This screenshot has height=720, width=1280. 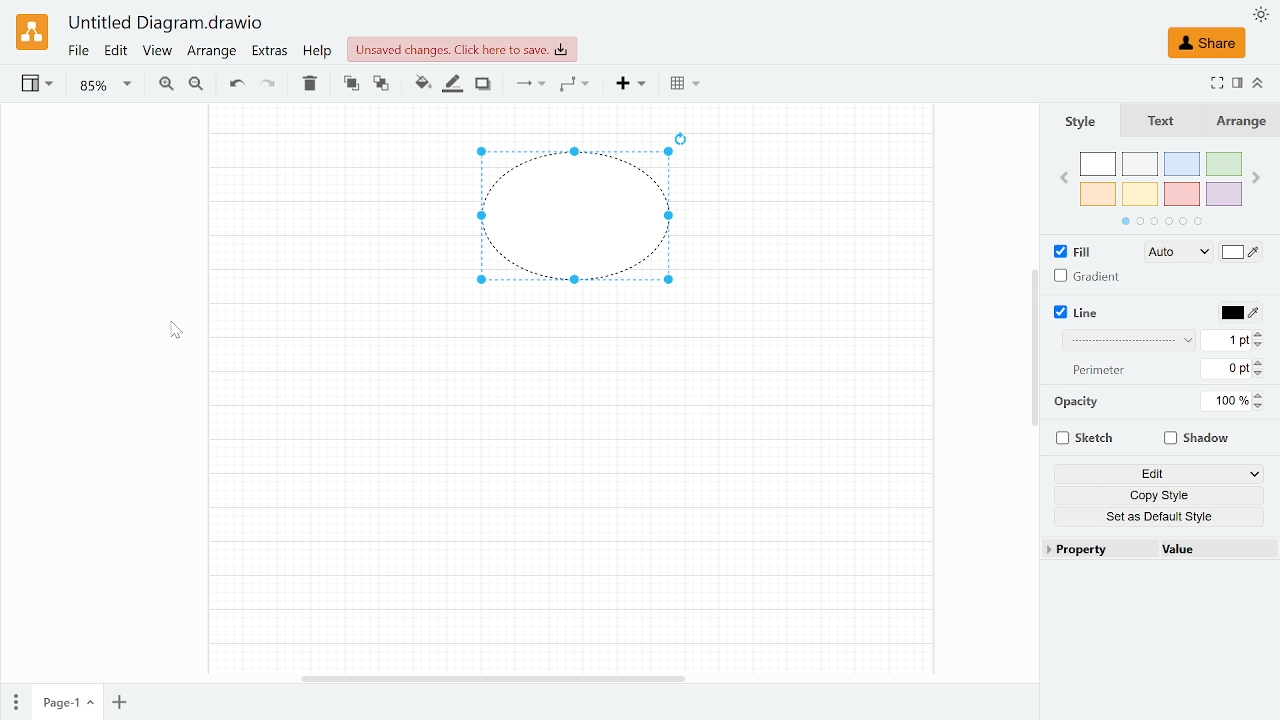 What do you see at coordinates (1241, 252) in the screenshot?
I see `FIll color` at bounding box center [1241, 252].